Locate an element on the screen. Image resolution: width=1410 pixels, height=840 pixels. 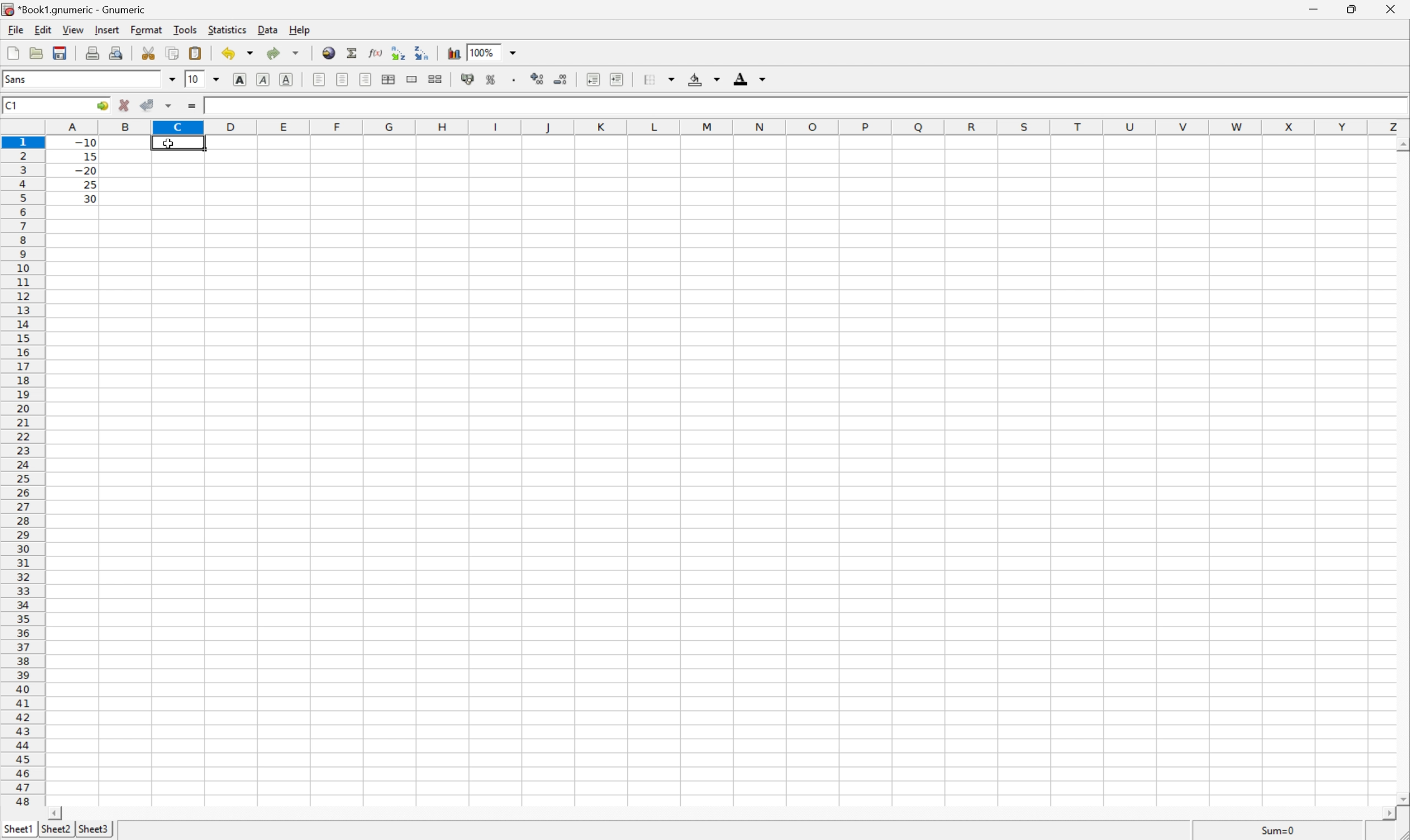
Align left is located at coordinates (318, 78).